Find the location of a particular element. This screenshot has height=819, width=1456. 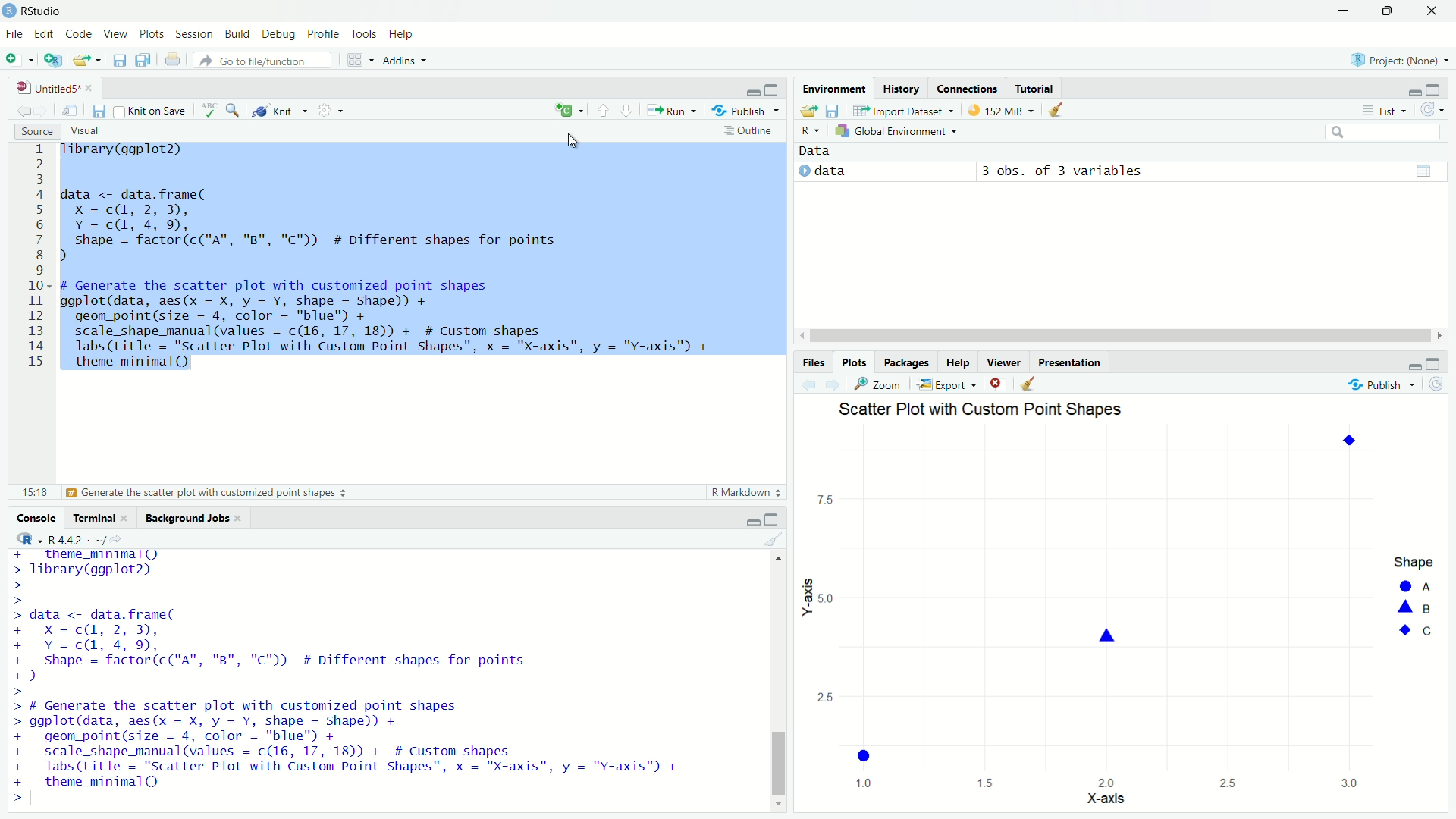

minimize is located at coordinates (1413, 366).